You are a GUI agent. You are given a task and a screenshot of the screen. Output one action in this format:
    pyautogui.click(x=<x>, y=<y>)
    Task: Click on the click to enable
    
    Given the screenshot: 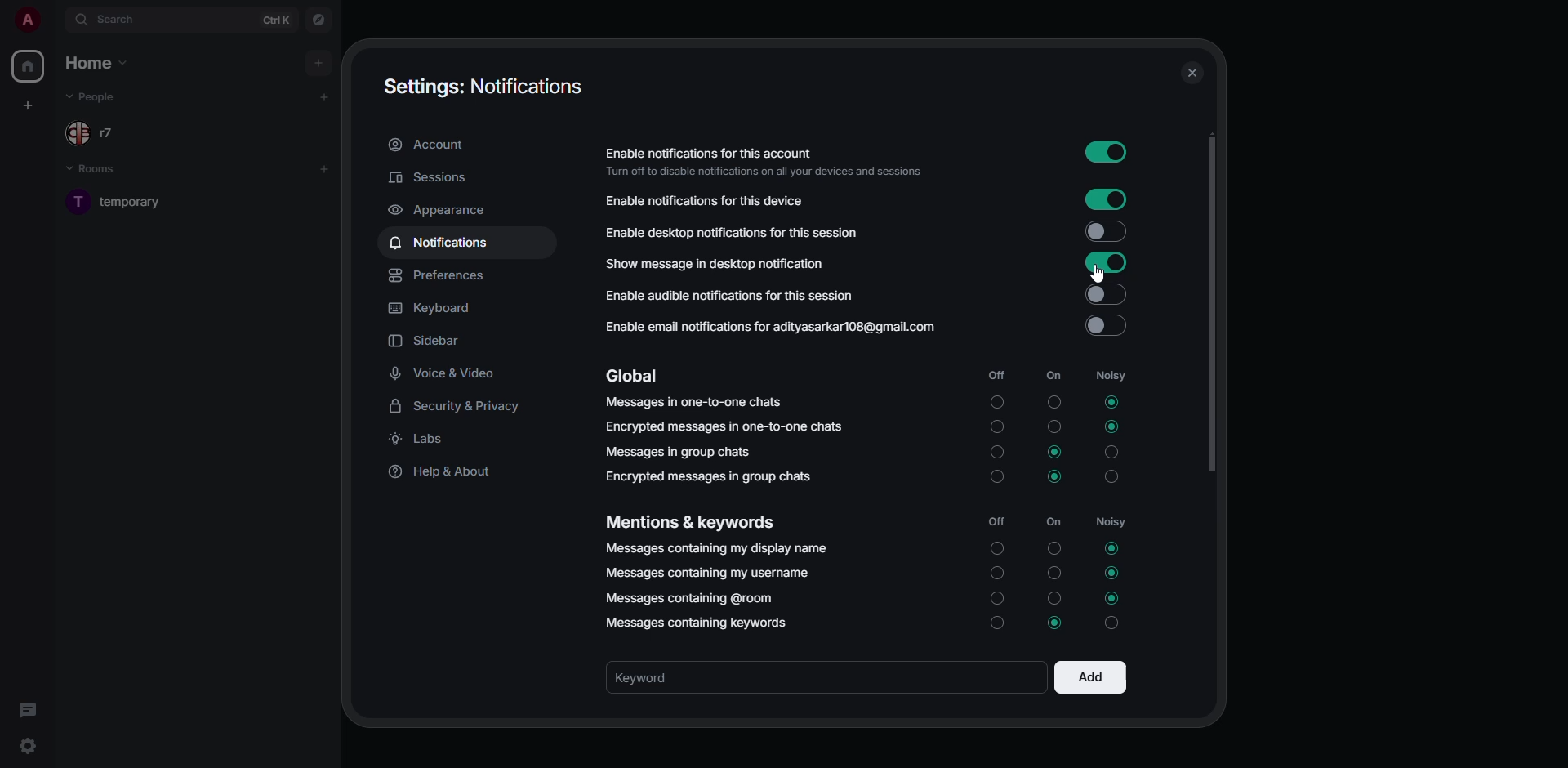 What is the action you would take?
    pyautogui.click(x=1108, y=295)
    